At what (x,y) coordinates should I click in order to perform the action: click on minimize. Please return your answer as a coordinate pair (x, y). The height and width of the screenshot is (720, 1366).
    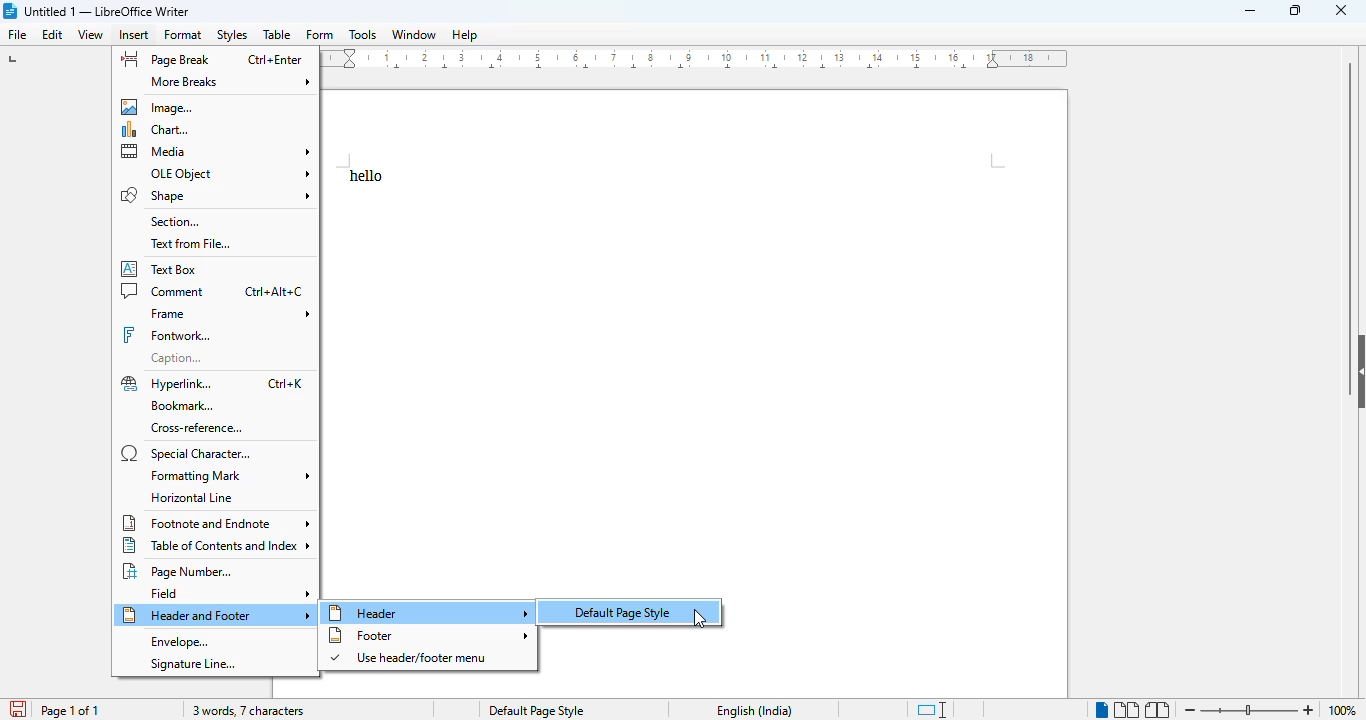
    Looking at the image, I should click on (1249, 11).